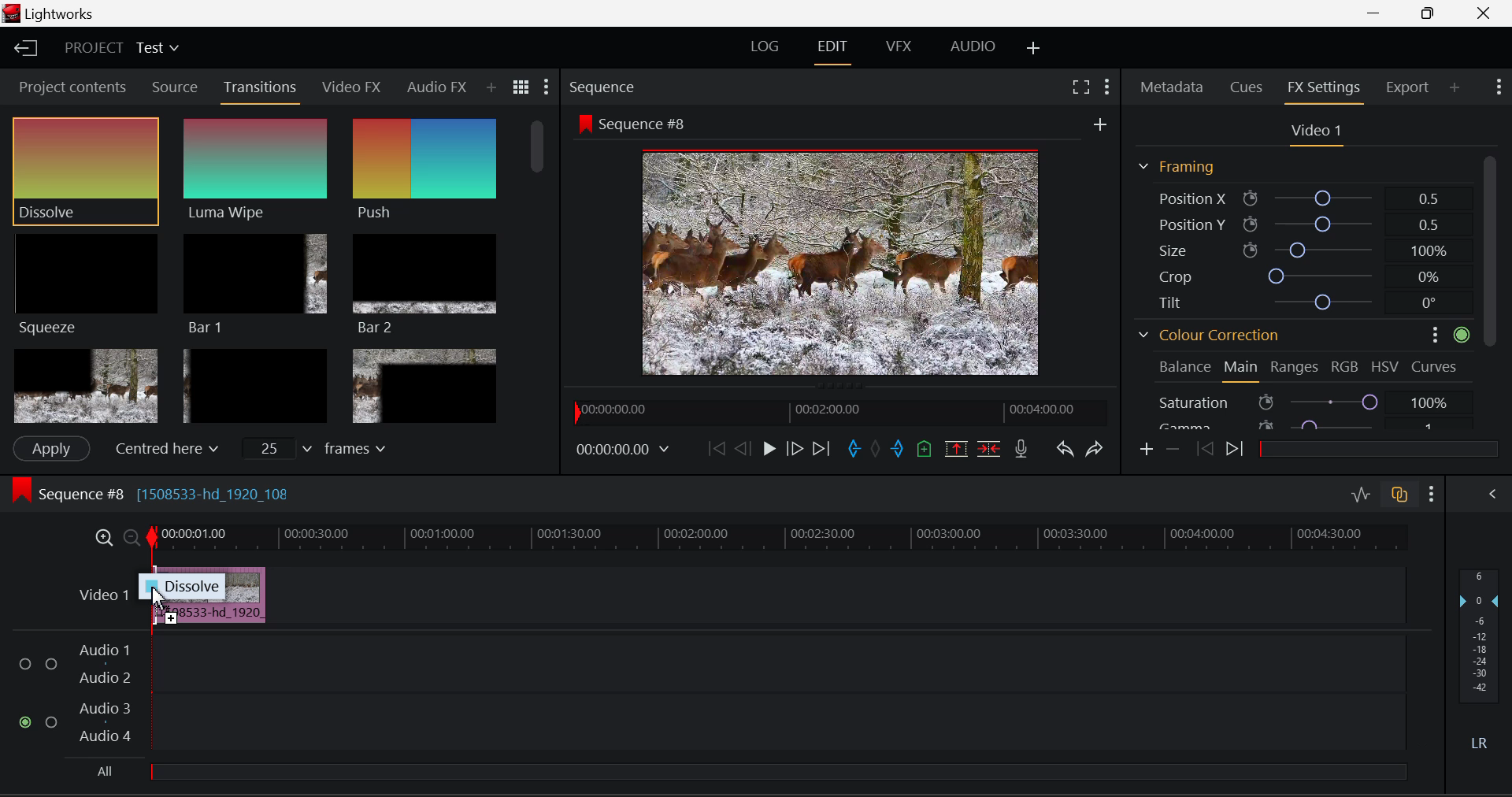 Image resolution: width=1512 pixels, height=797 pixels. I want to click on Audio, so click(417, 86).